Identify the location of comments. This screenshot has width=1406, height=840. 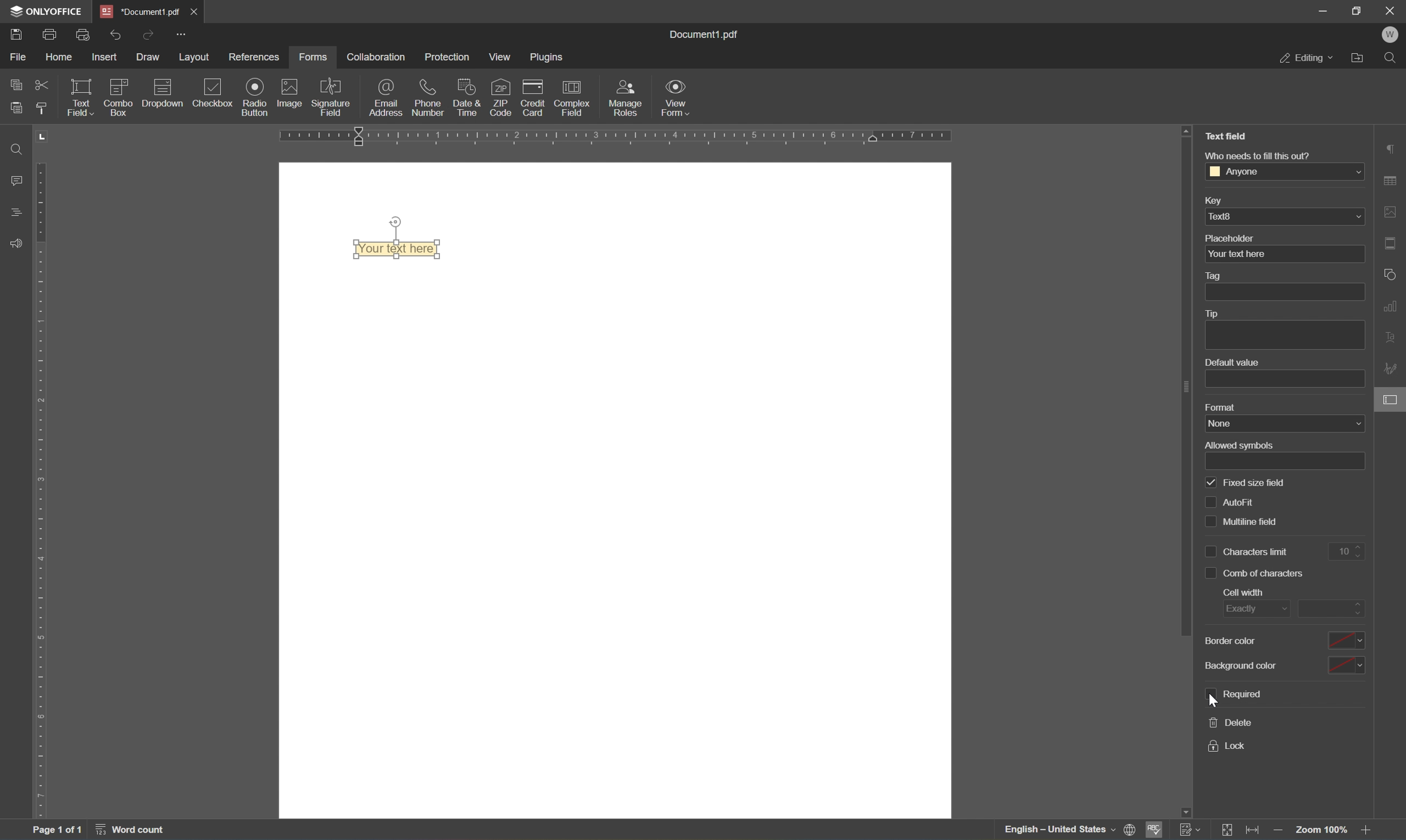
(17, 181).